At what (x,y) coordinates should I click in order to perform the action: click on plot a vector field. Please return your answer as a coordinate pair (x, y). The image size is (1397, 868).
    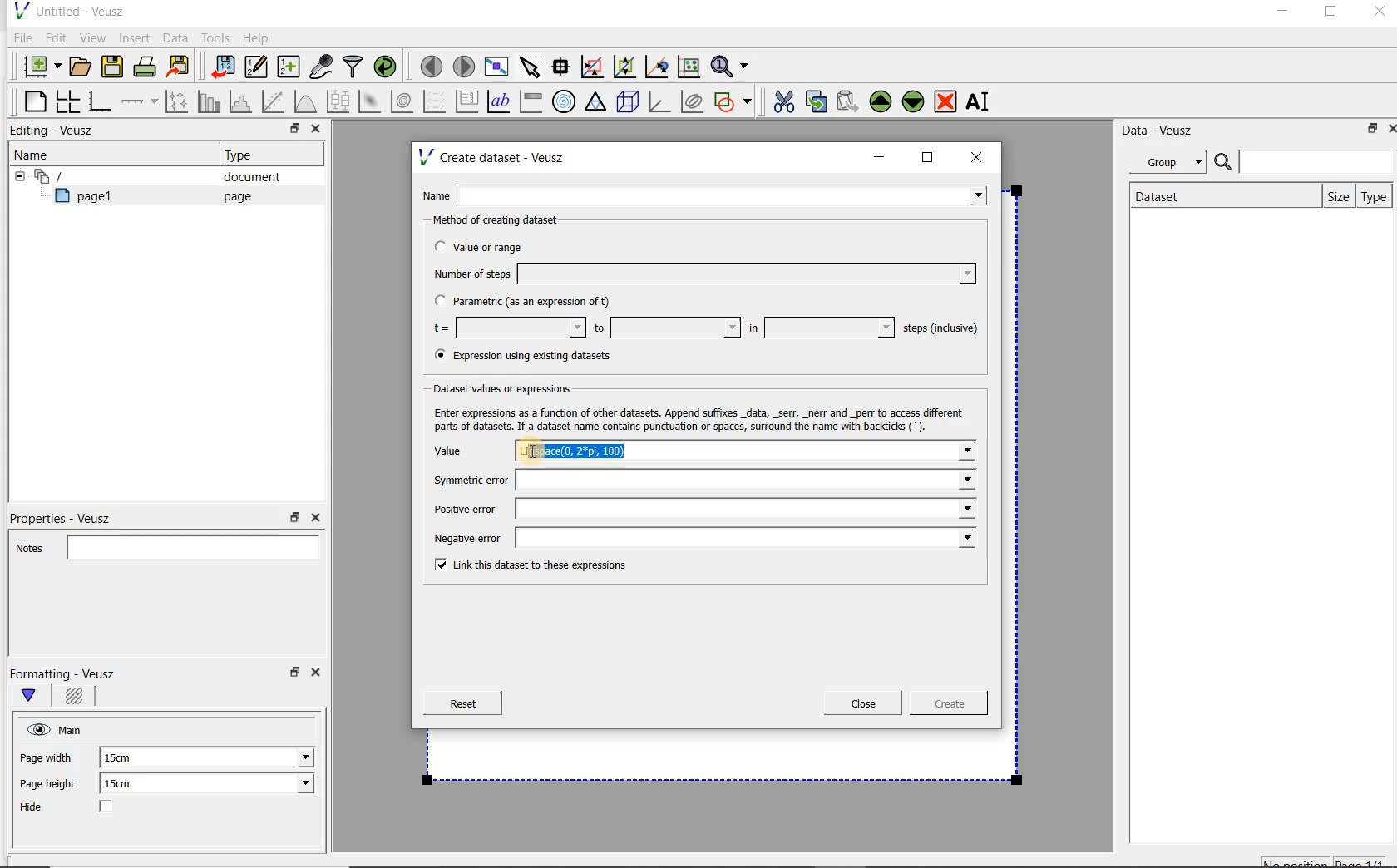
    Looking at the image, I should click on (435, 100).